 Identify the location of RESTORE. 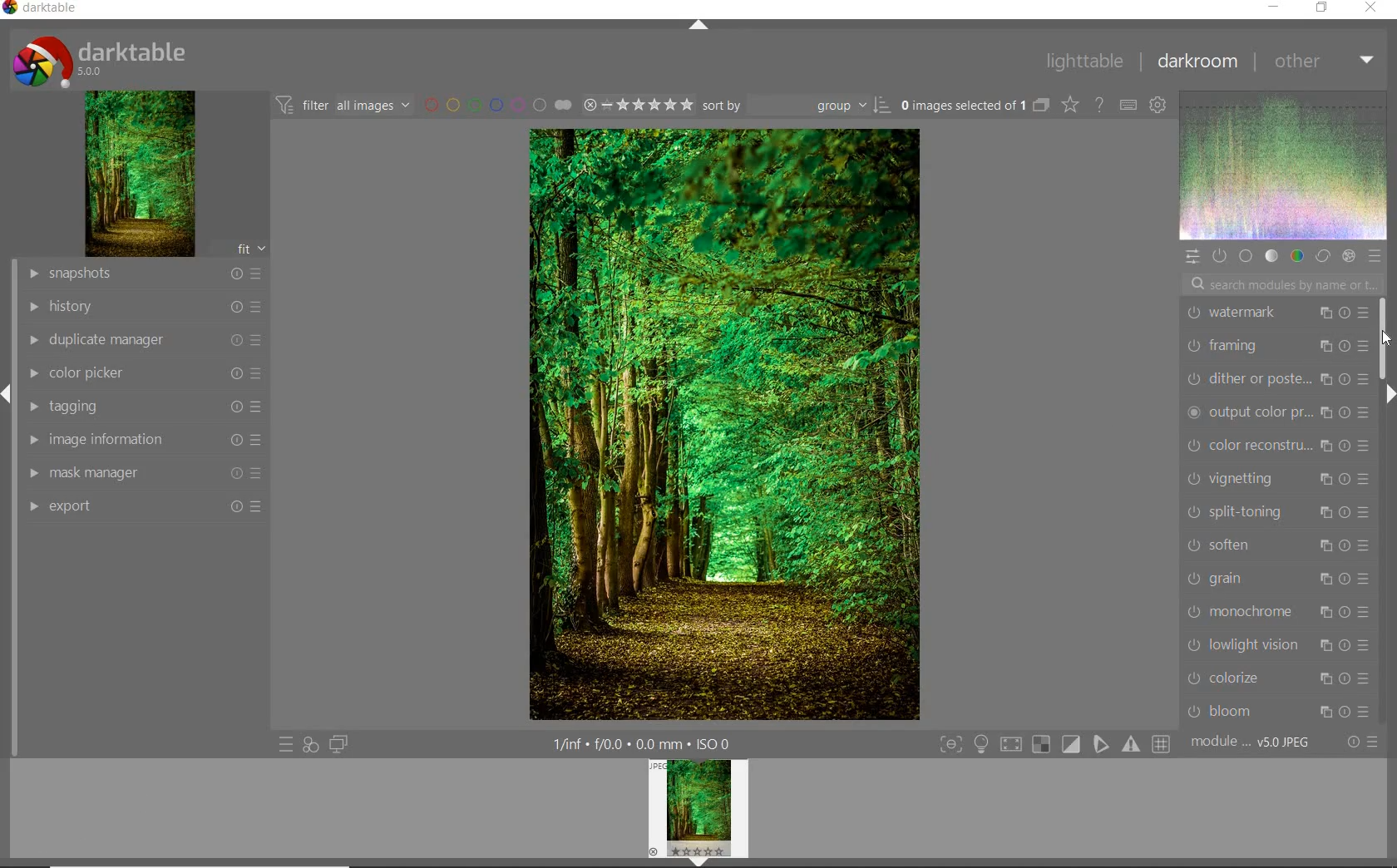
(1320, 8).